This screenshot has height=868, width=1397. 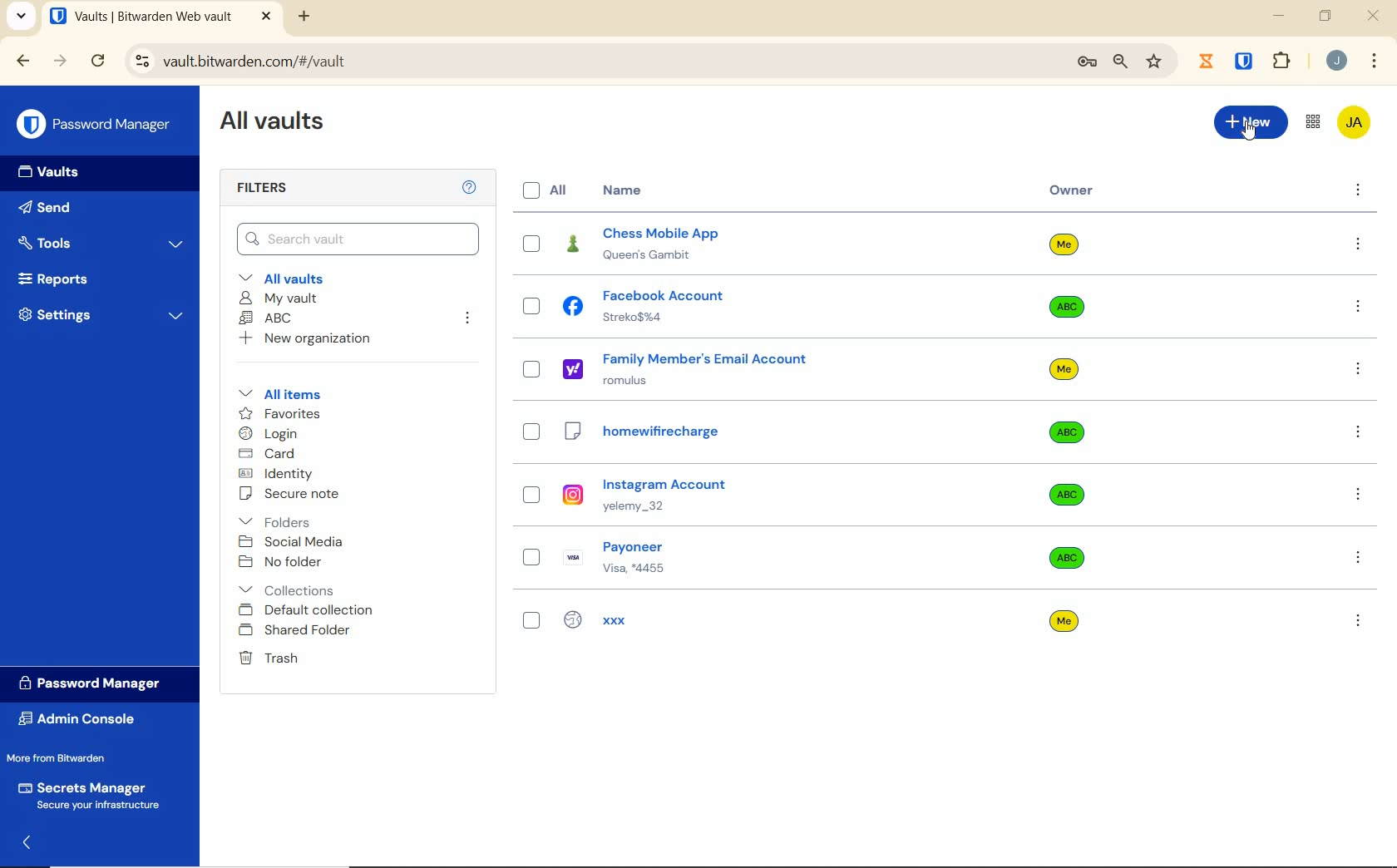 What do you see at coordinates (532, 558) in the screenshot?
I see `checkbox` at bounding box center [532, 558].